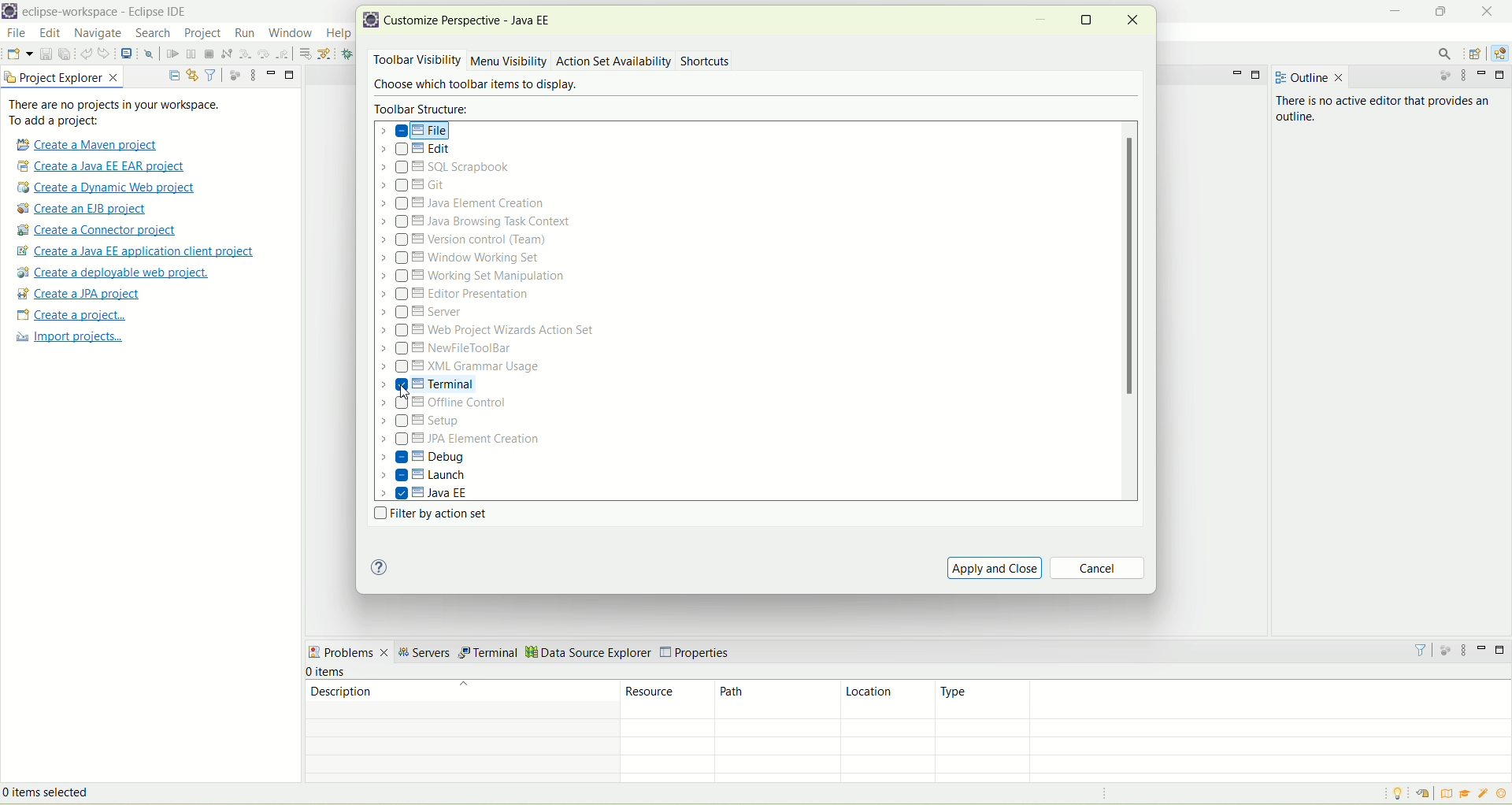 The width and height of the screenshot is (1512, 805). What do you see at coordinates (1467, 77) in the screenshot?
I see `view menu` at bounding box center [1467, 77].